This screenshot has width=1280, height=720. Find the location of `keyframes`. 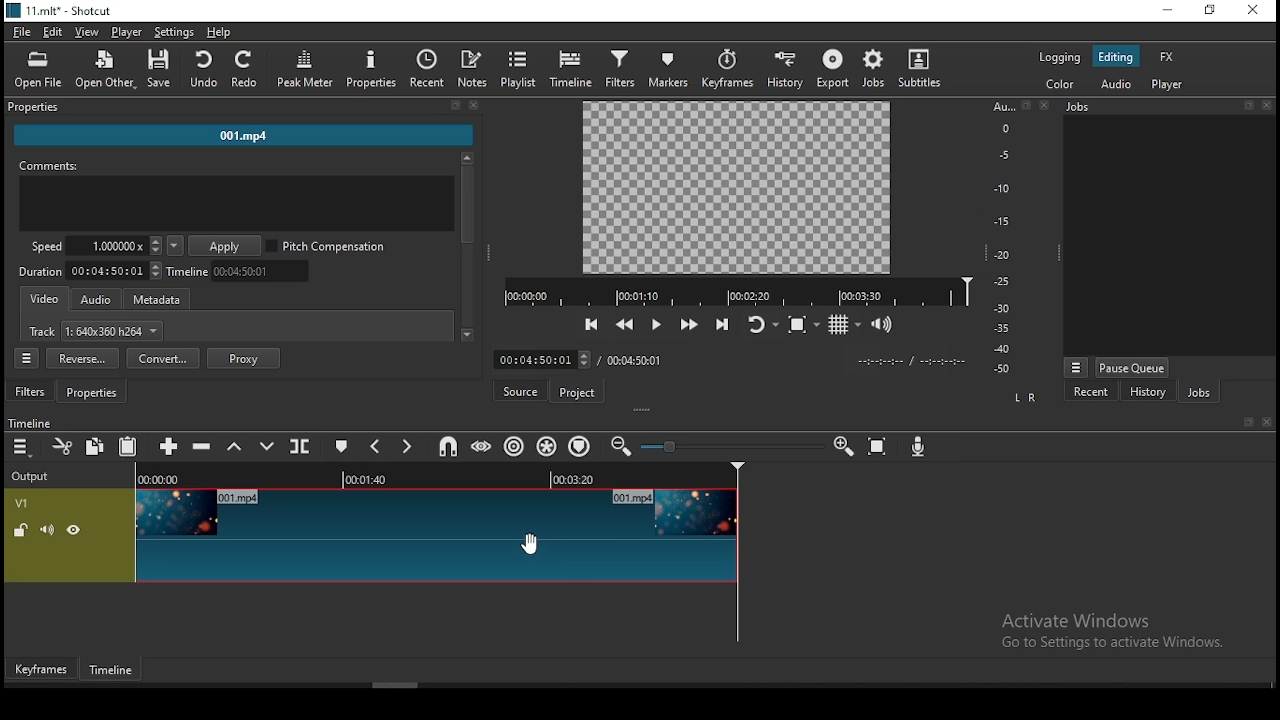

keyframes is located at coordinates (727, 66).